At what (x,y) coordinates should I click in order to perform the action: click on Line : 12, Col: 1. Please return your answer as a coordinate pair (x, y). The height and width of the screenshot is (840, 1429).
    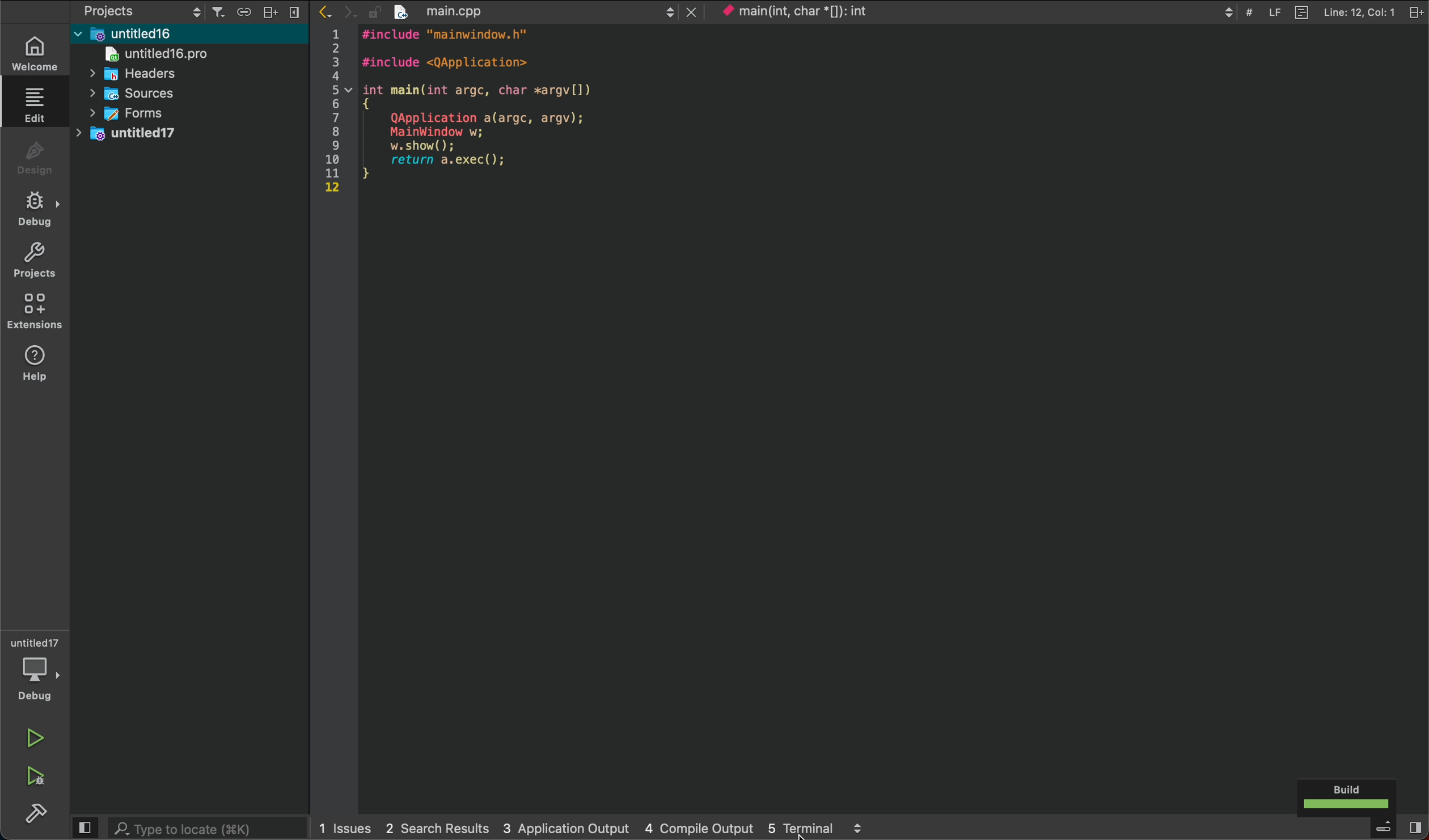
    Looking at the image, I should click on (1359, 12).